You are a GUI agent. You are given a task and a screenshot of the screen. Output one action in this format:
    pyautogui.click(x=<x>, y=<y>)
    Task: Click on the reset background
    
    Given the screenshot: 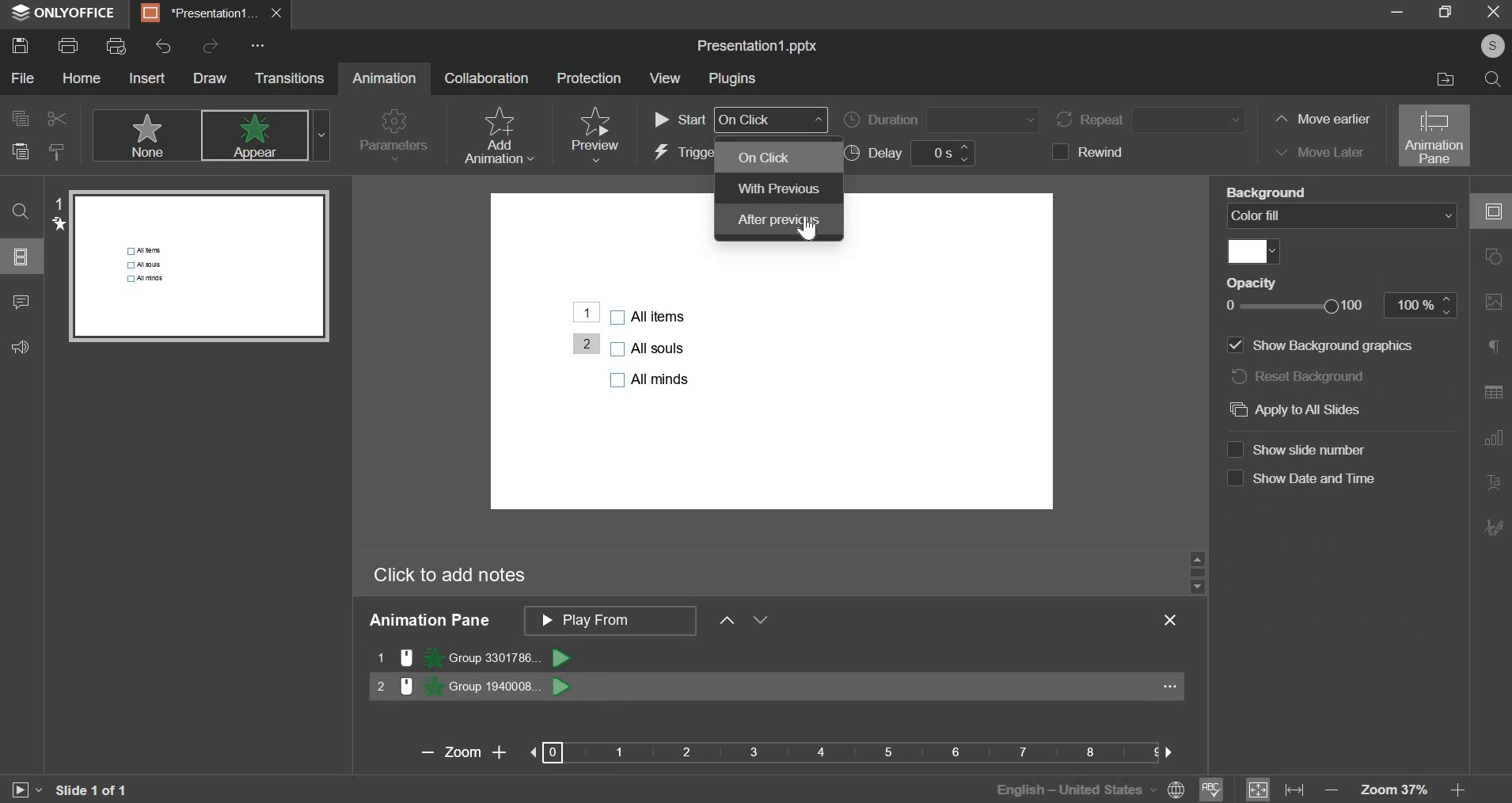 What is the action you would take?
    pyautogui.click(x=1309, y=377)
    